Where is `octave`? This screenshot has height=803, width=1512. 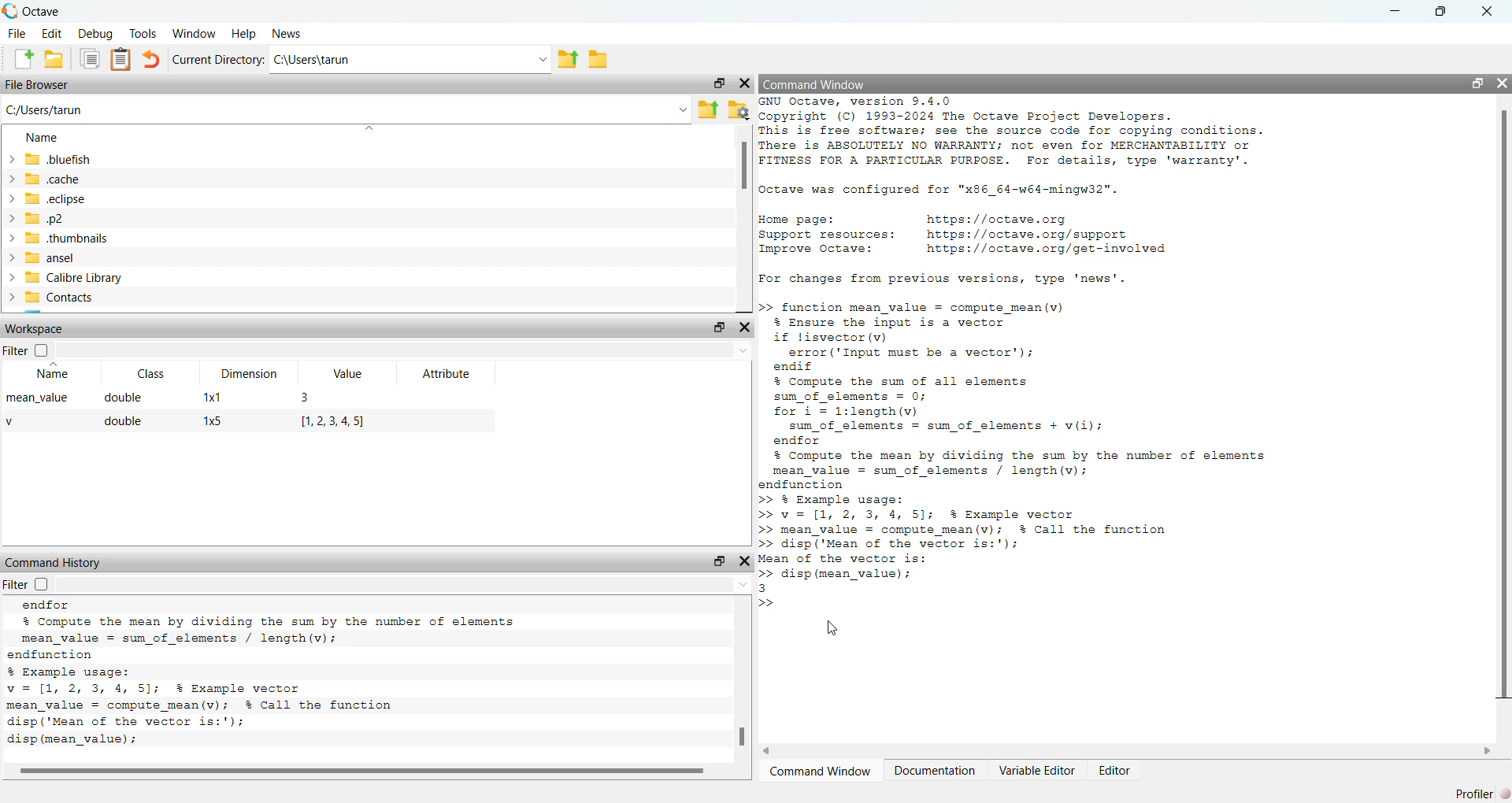 octave is located at coordinates (45, 12).